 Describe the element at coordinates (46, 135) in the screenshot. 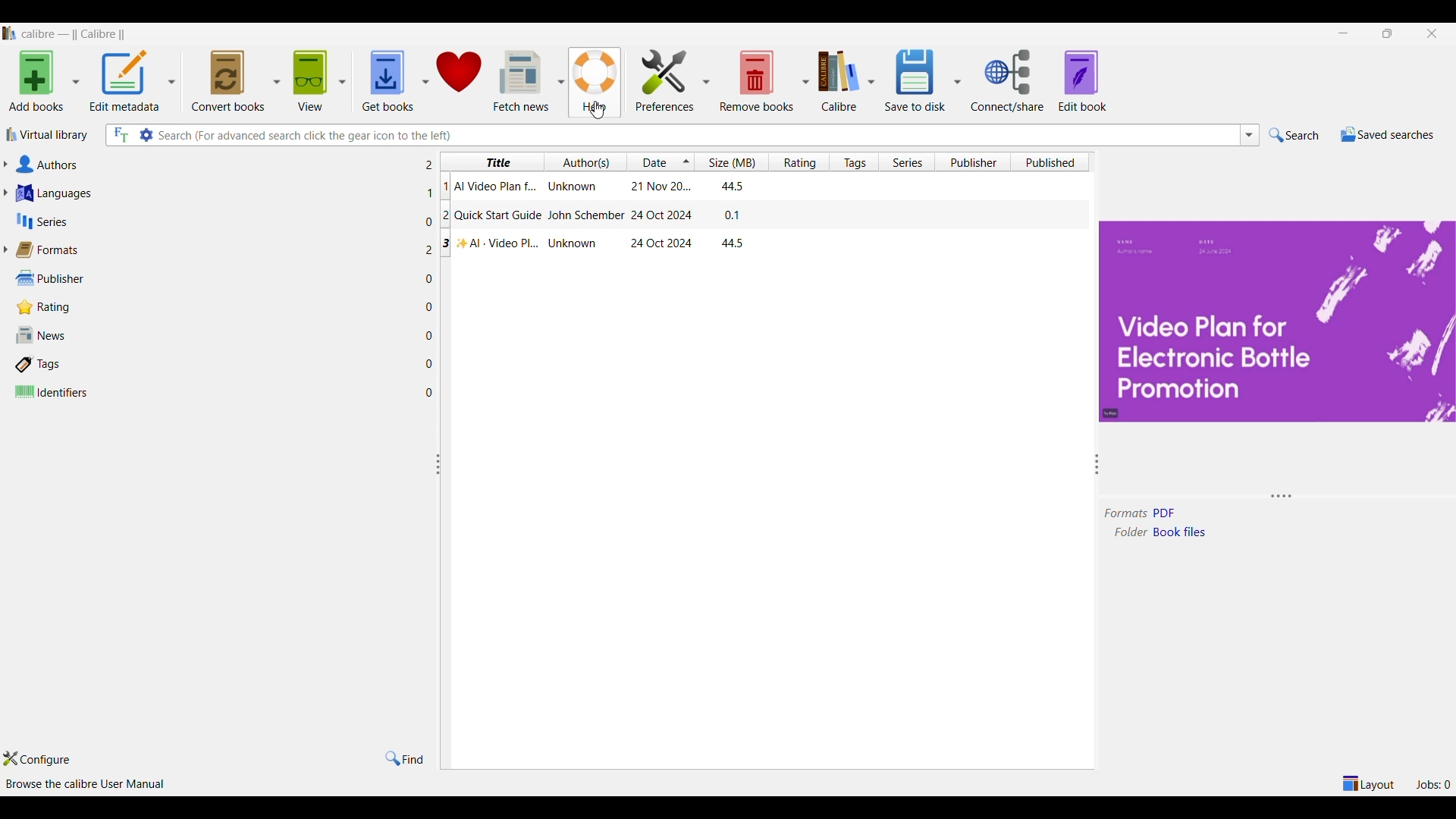

I see `Virtual library` at that location.